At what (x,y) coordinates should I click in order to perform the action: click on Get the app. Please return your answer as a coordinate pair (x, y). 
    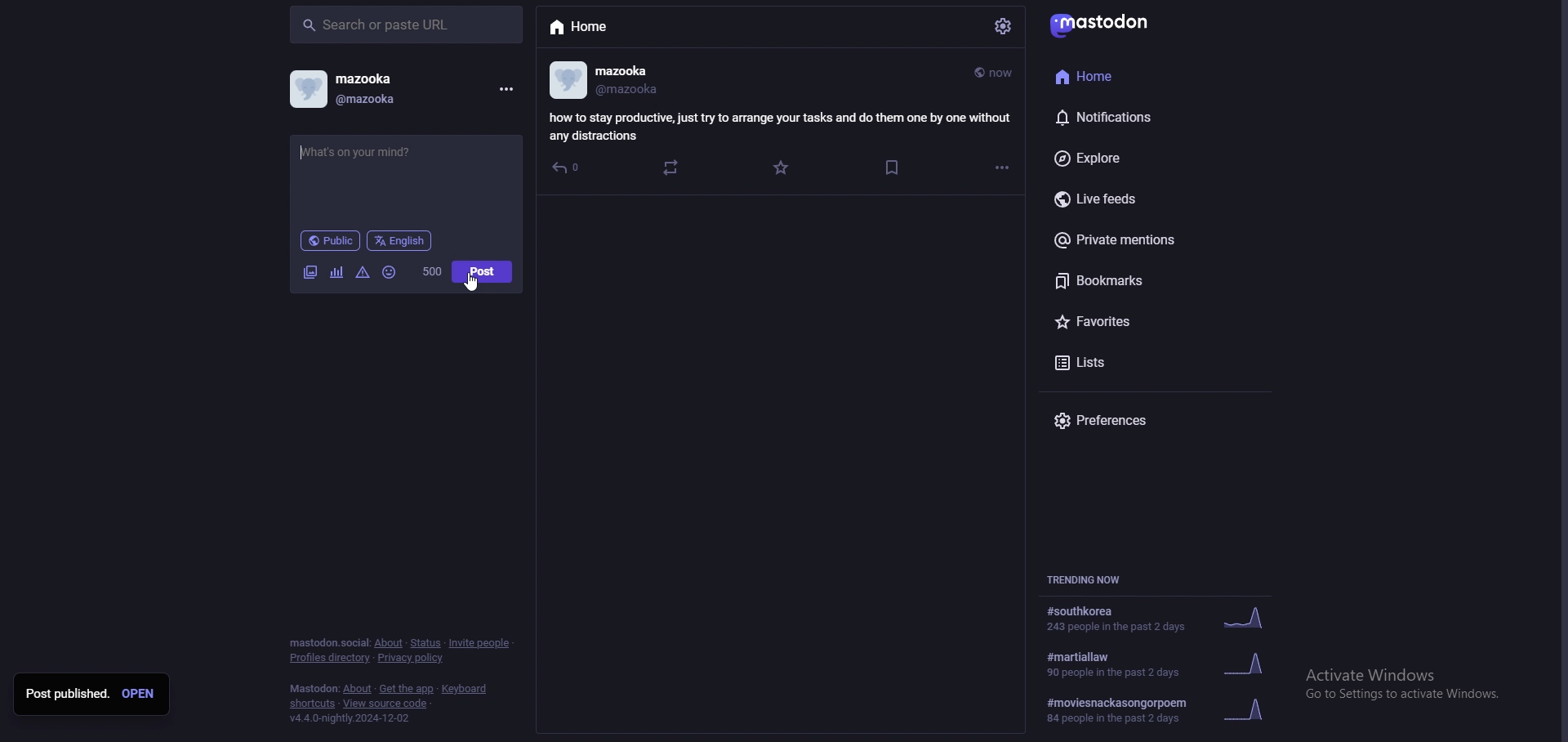
    Looking at the image, I should click on (406, 686).